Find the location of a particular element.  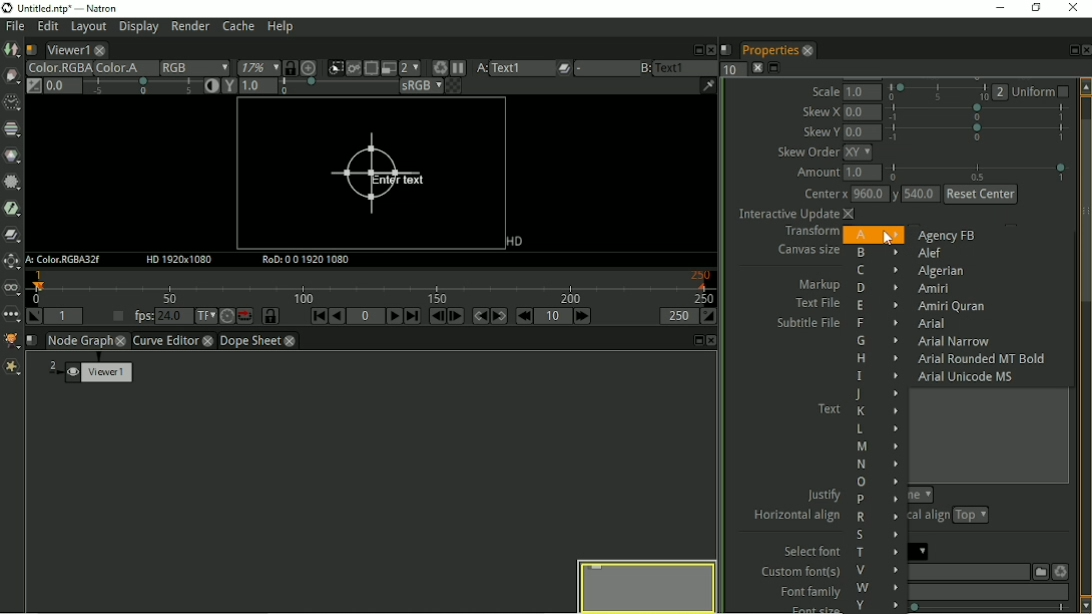

N is located at coordinates (876, 464).